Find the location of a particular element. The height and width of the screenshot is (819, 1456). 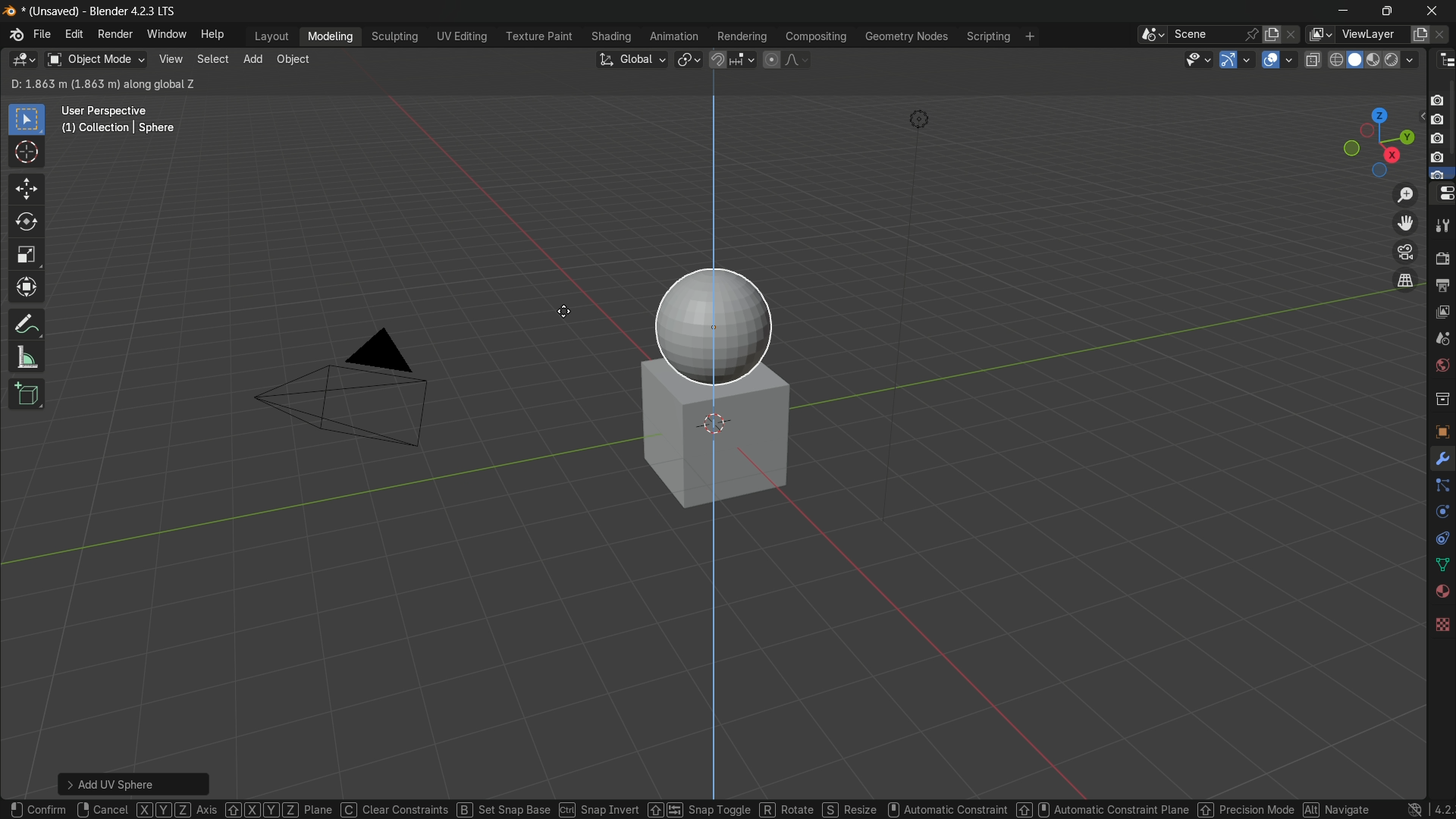

switch the current view is located at coordinates (1404, 280).